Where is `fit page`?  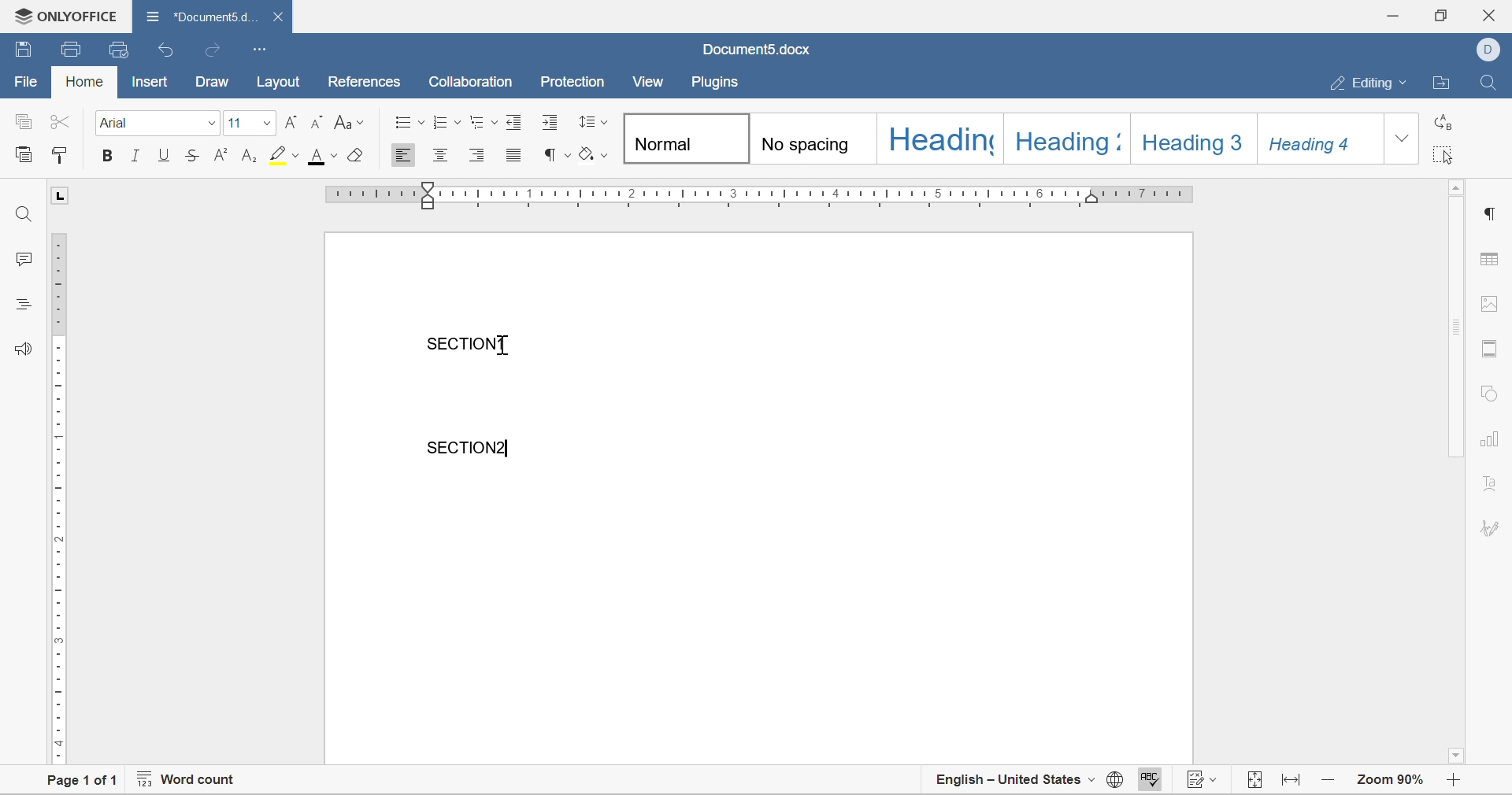 fit page is located at coordinates (1256, 781).